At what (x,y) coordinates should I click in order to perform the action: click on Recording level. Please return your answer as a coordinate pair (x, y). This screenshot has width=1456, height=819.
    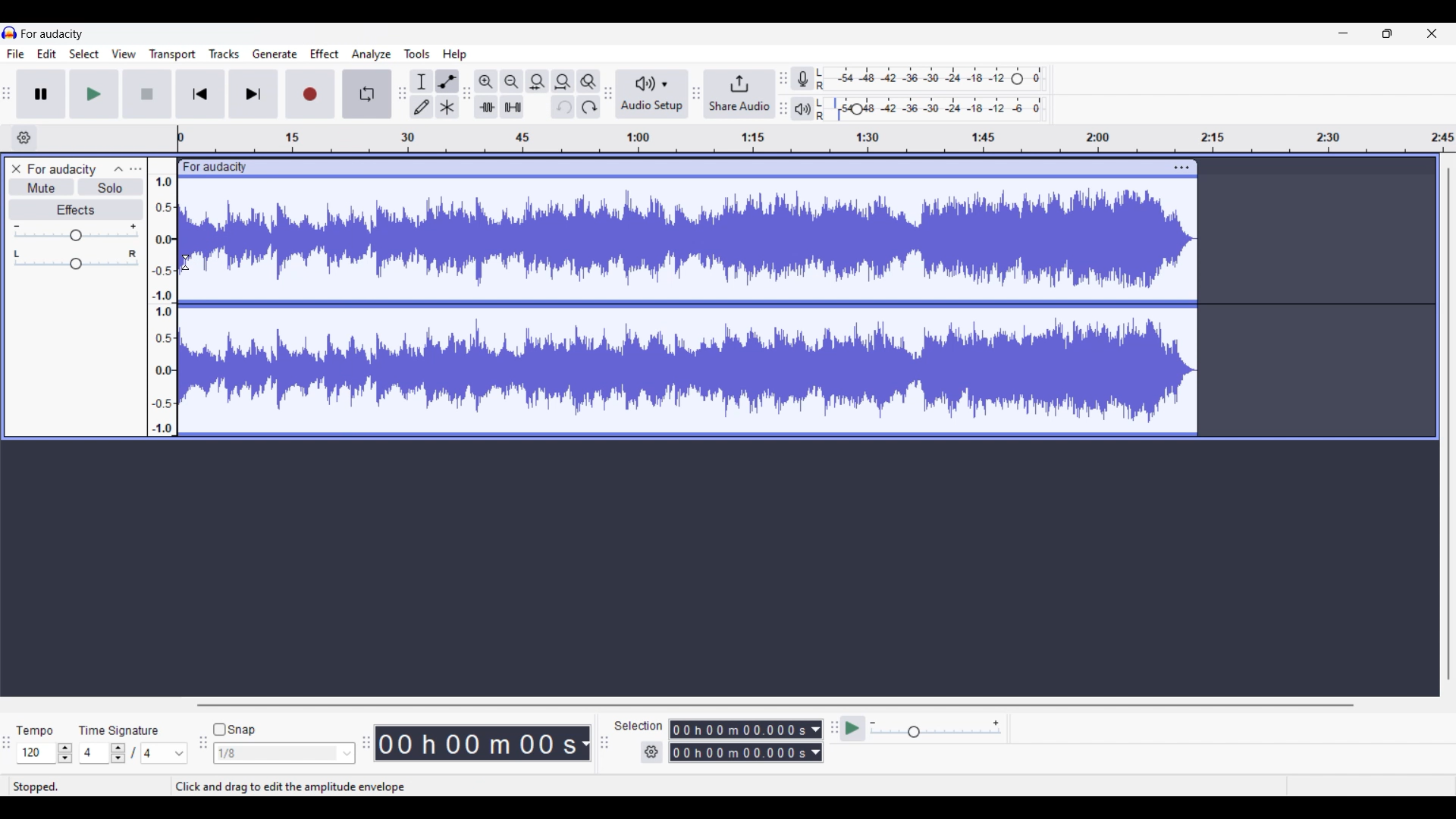
    Looking at the image, I should click on (930, 79).